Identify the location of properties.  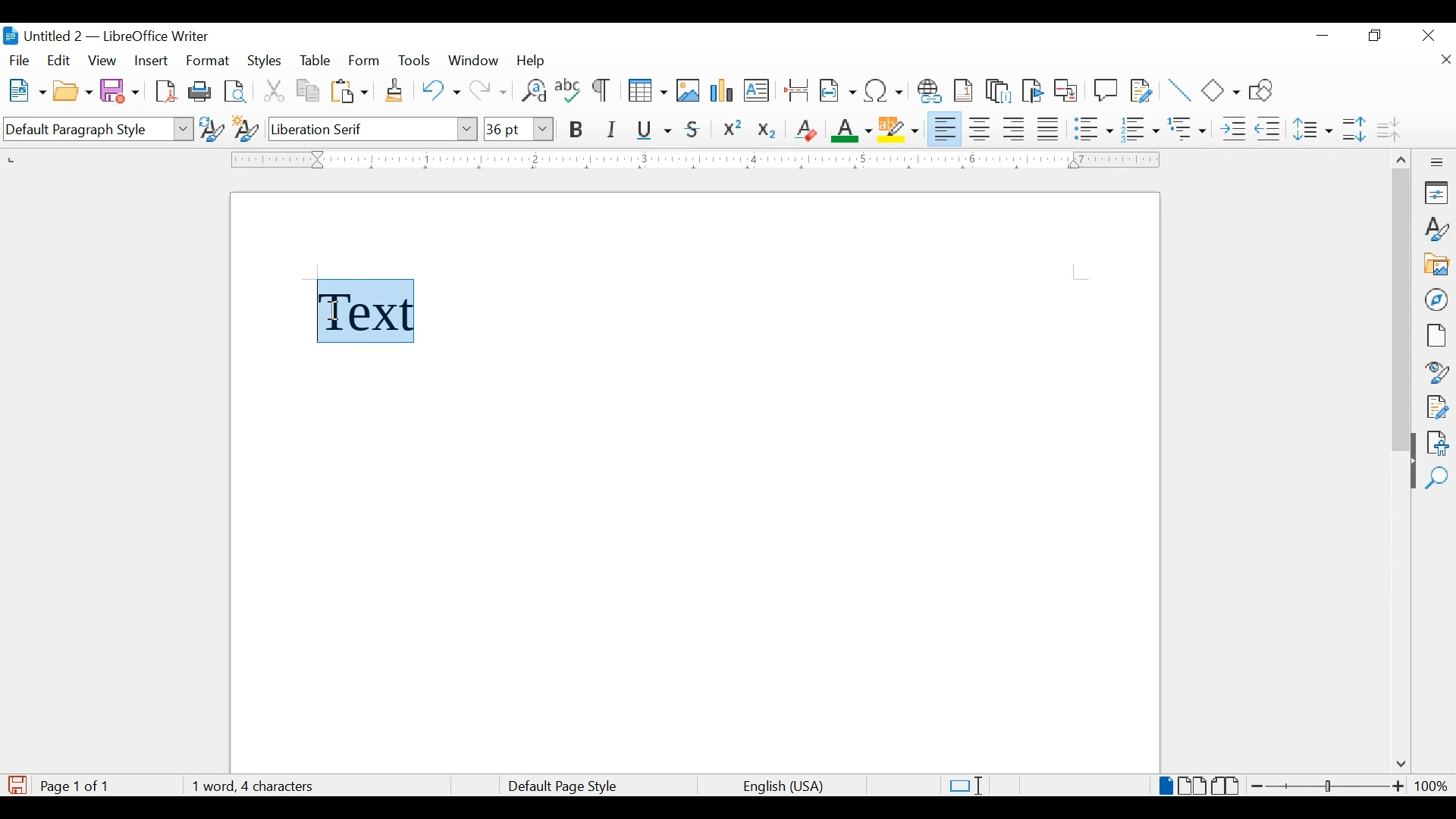
(1438, 193).